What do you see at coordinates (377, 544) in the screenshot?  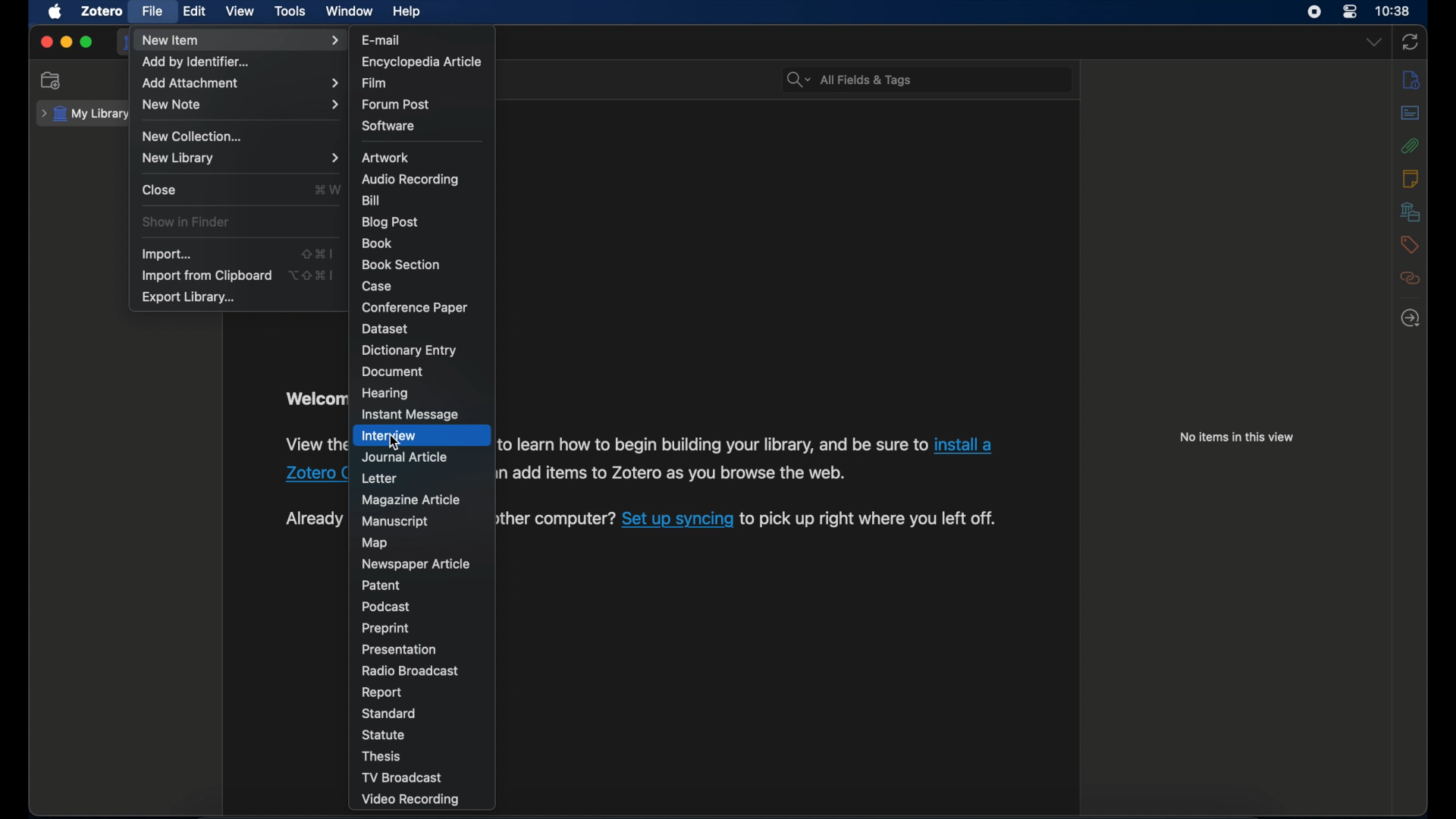 I see `map` at bounding box center [377, 544].